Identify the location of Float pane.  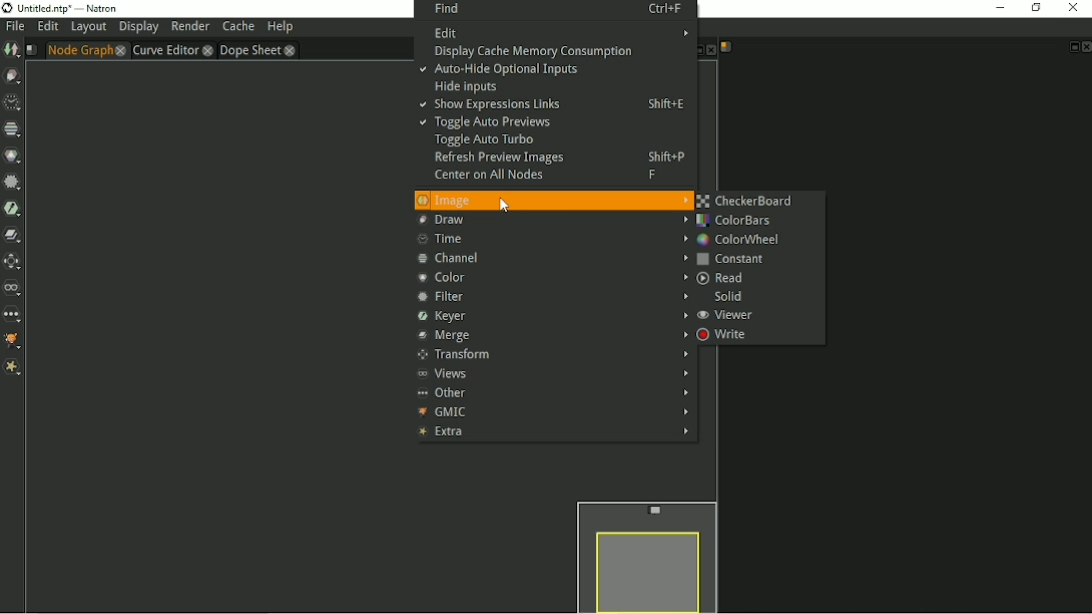
(1072, 47).